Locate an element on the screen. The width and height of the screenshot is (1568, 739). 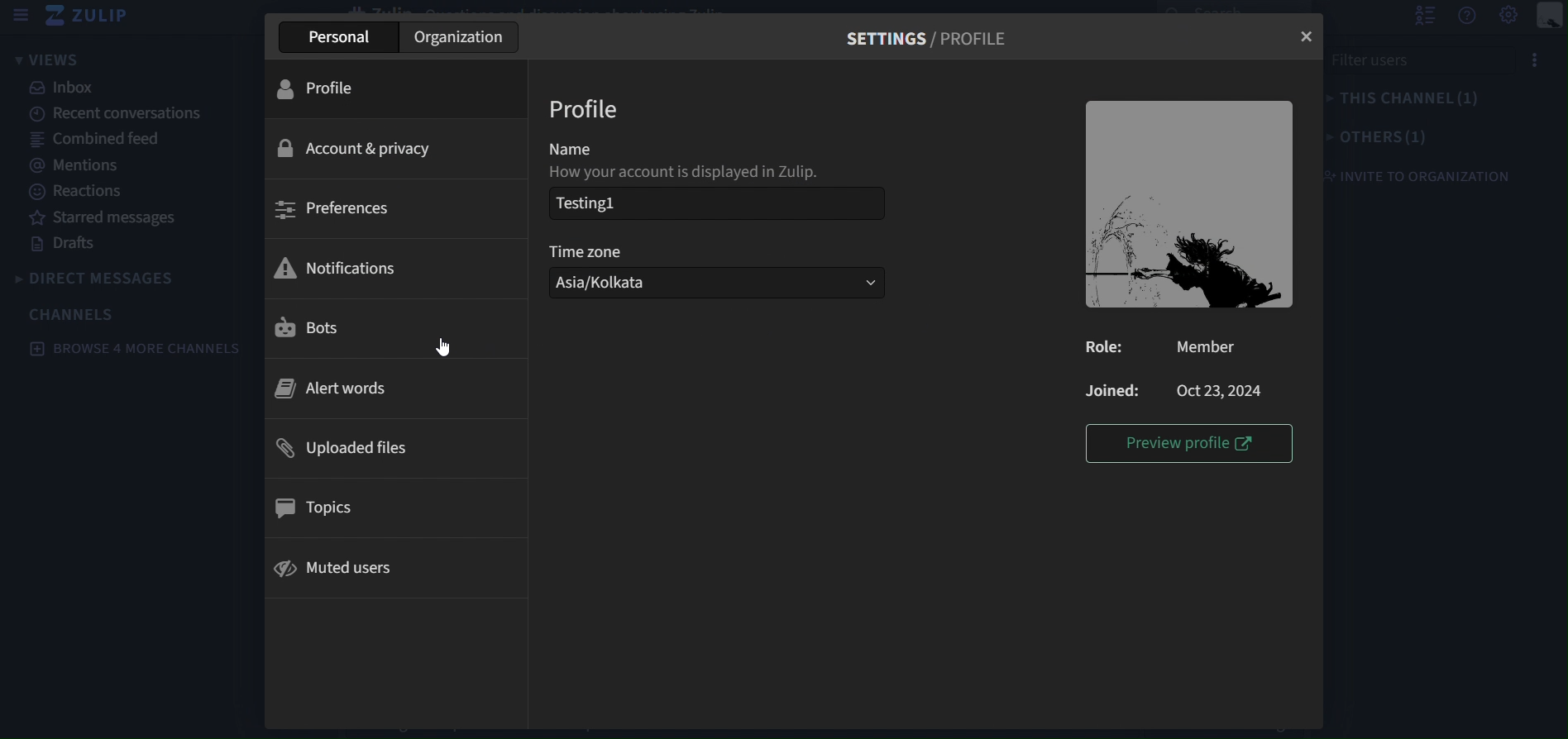
mentions is located at coordinates (127, 163).